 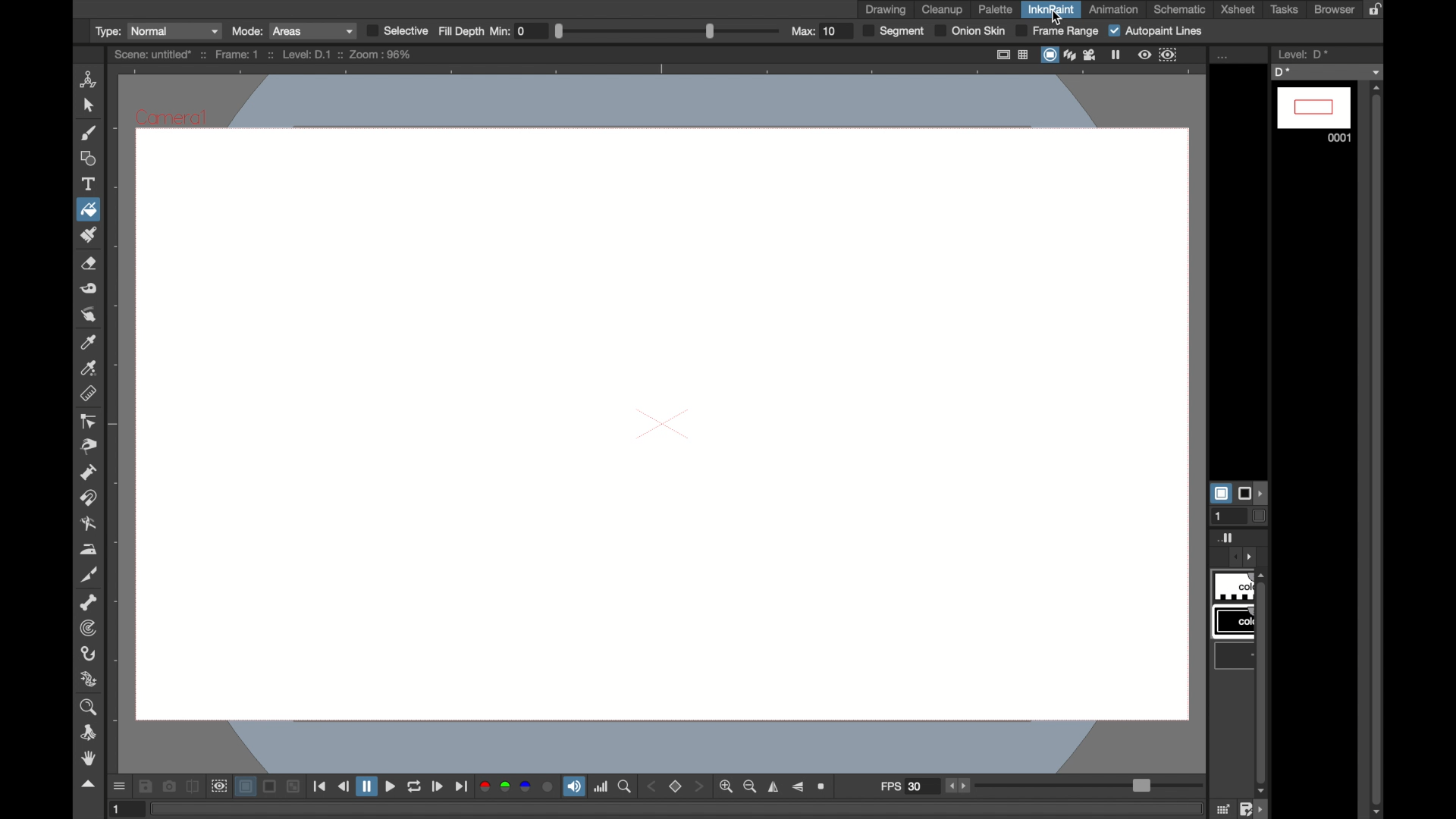 What do you see at coordinates (893, 31) in the screenshot?
I see `segment` at bounding box center [893, 31].